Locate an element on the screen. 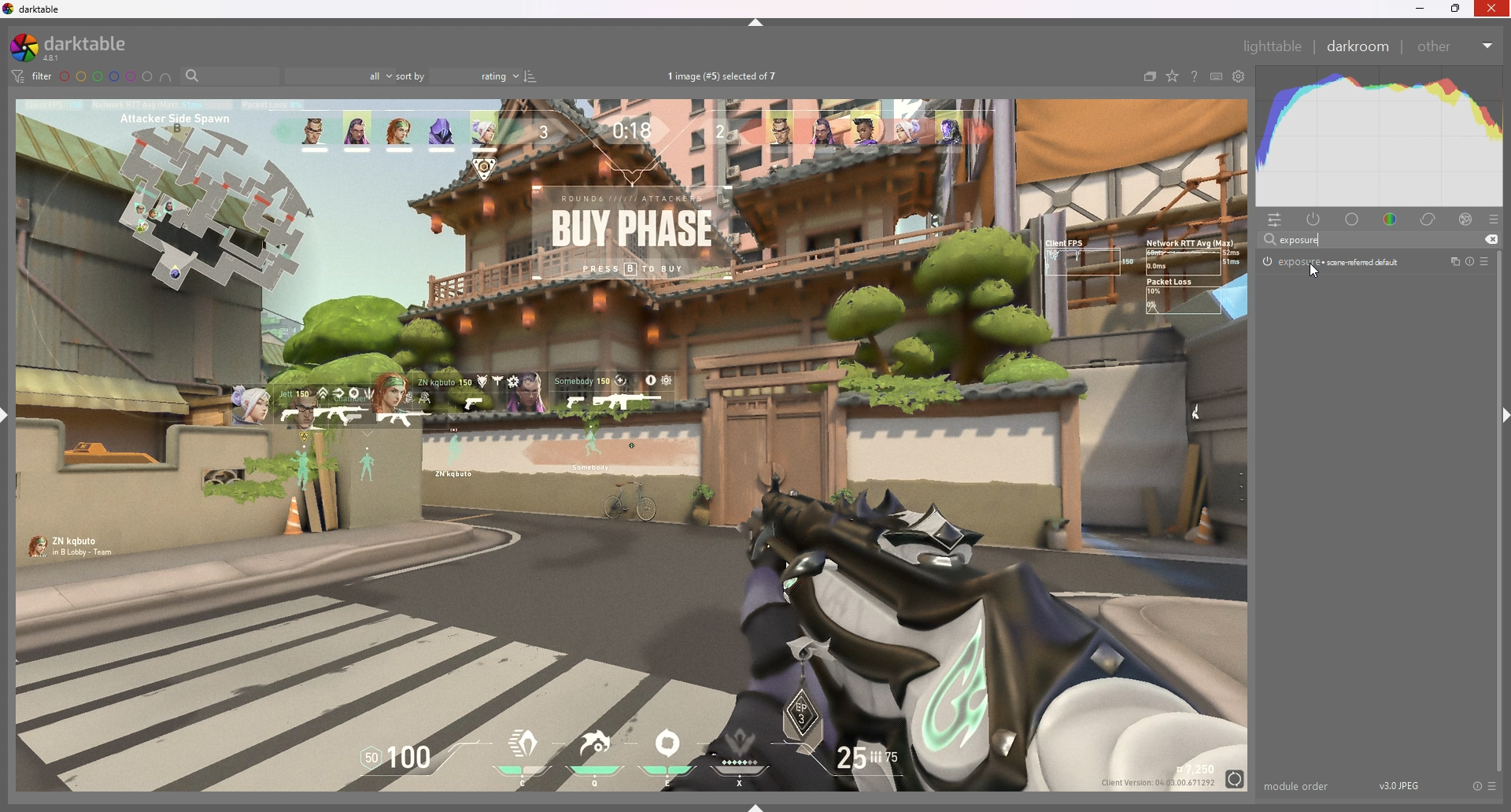 Image resolution: width=1511 pixels, height=812 pixels. show global preference is located at coordinates (1238, 76).